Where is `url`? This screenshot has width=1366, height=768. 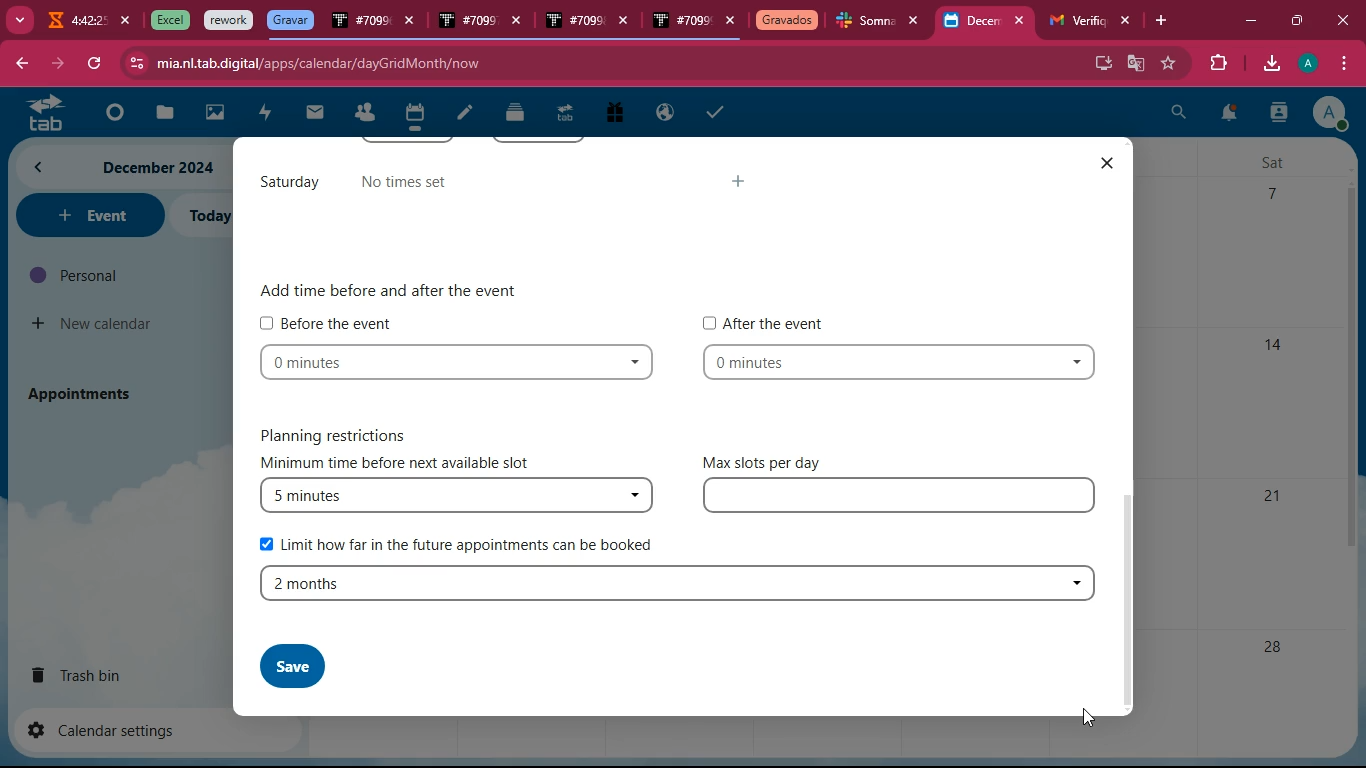
url is located at coordinates (318, 63).